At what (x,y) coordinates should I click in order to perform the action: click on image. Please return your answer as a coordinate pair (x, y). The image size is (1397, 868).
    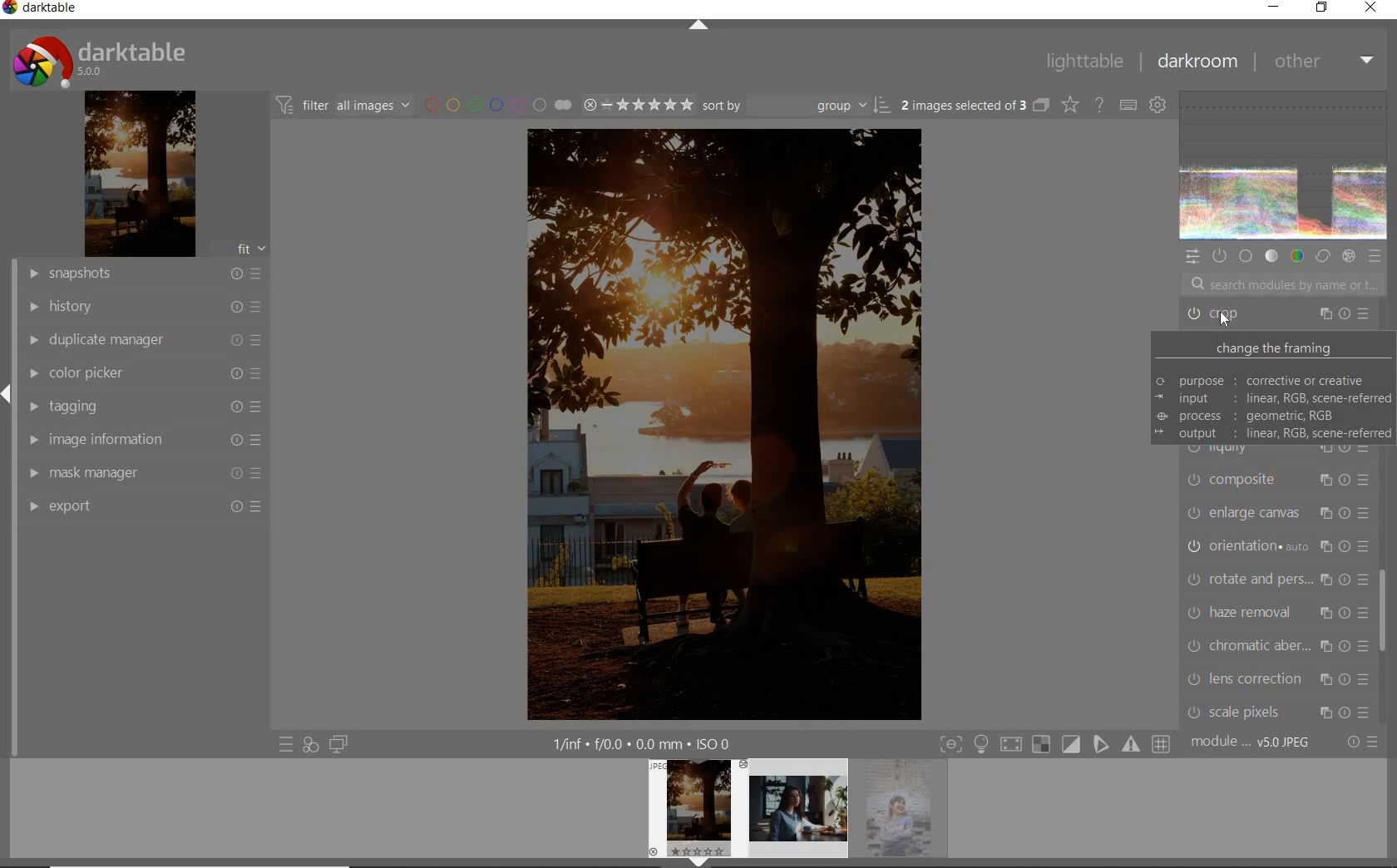
    Looking at the image, I should click on (138, 175).